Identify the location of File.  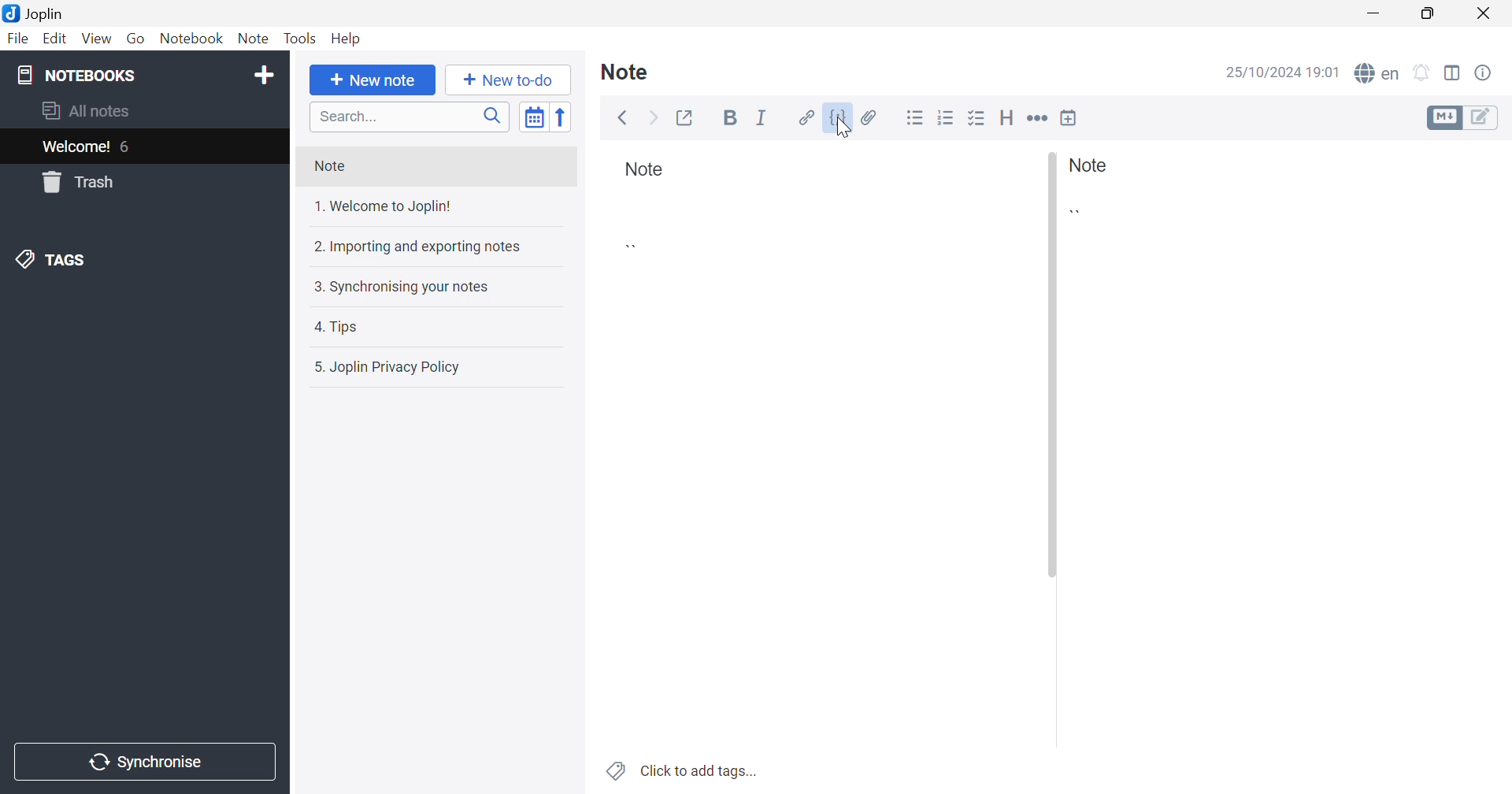
(18, 40).